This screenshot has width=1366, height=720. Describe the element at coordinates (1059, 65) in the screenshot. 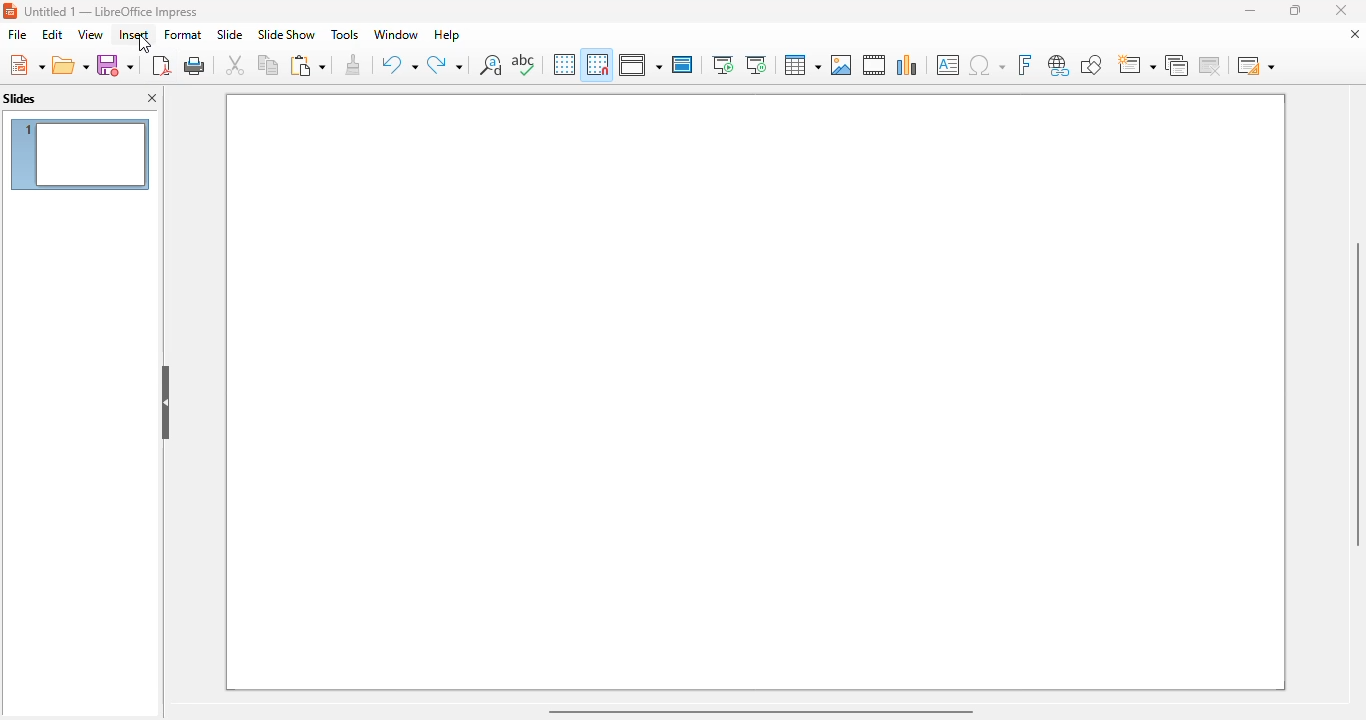

I see `insert hyperlink` at that location.